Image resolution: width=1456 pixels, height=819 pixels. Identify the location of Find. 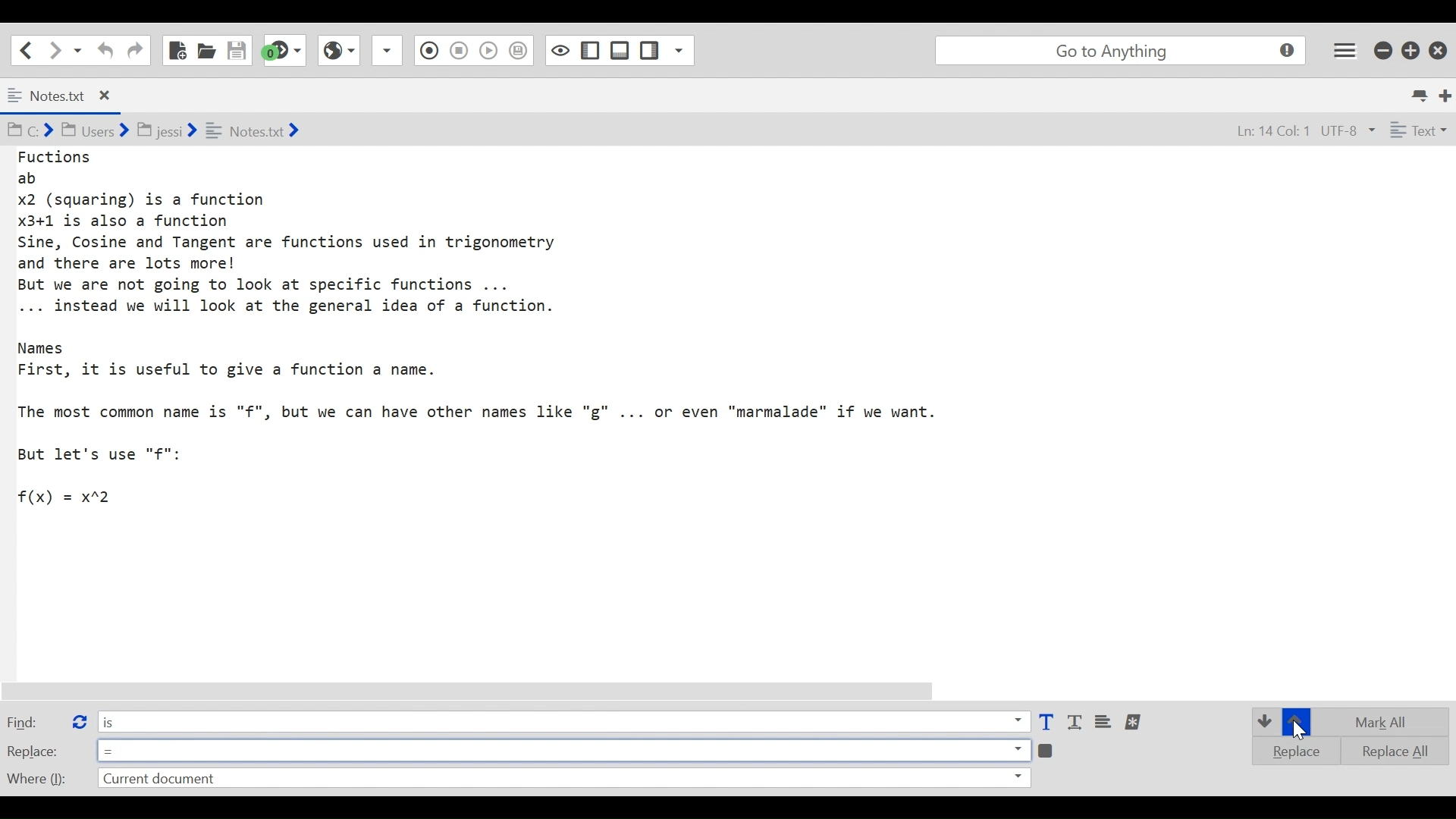
(33, 721).